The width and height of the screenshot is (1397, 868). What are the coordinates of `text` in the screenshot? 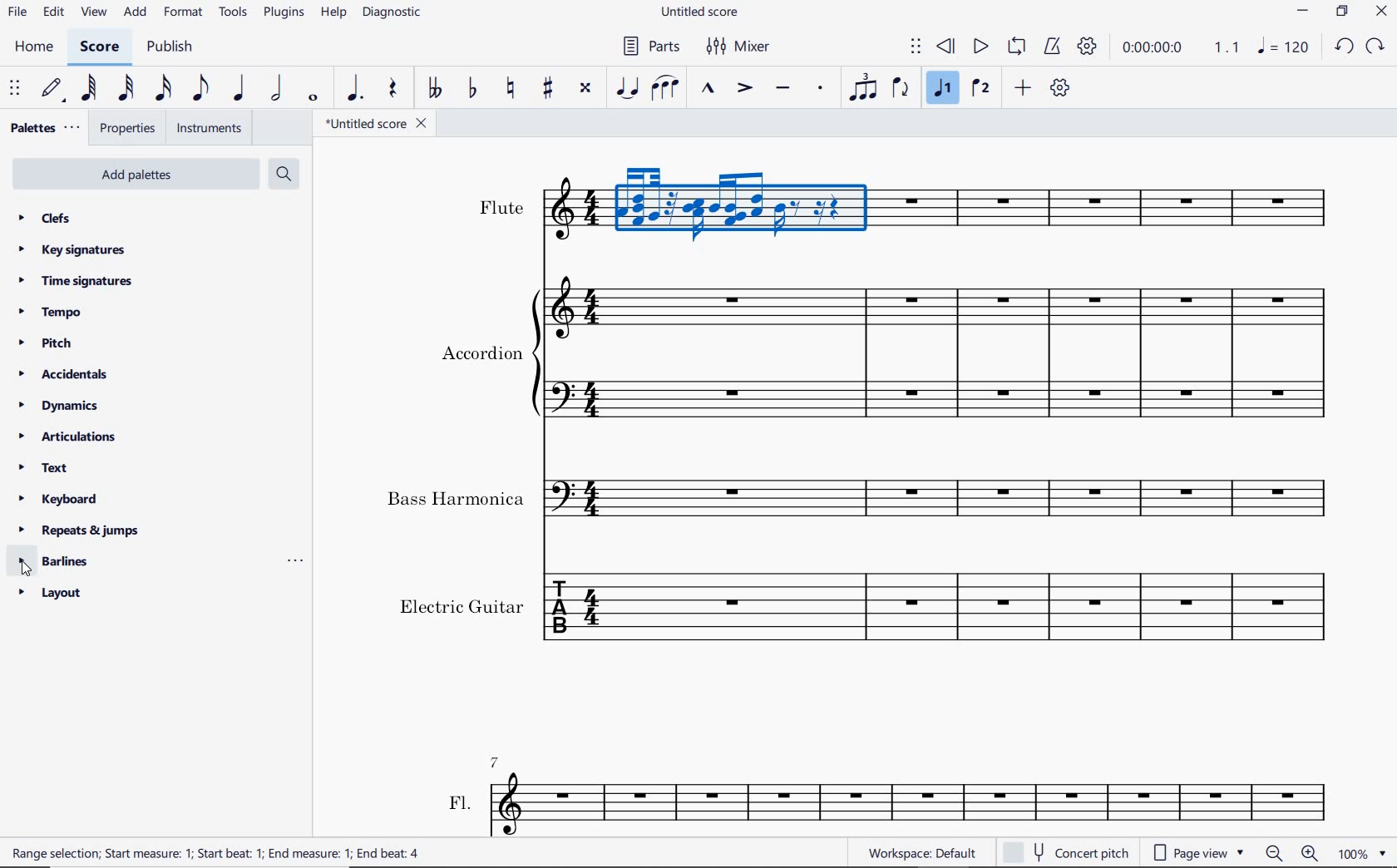 It's located at (501, 207).